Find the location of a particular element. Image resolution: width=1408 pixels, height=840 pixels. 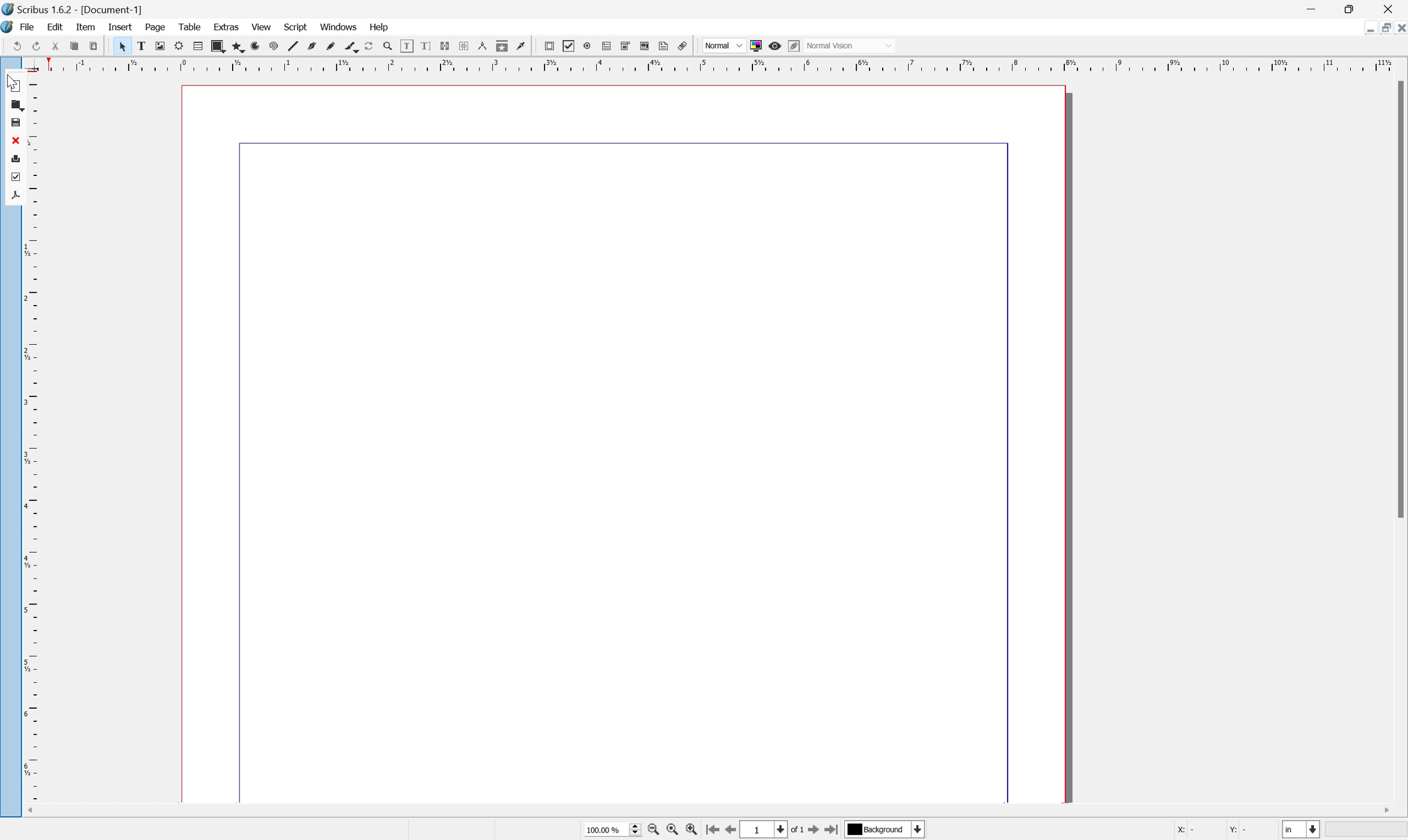

windows is located at coordinates (340, 28).